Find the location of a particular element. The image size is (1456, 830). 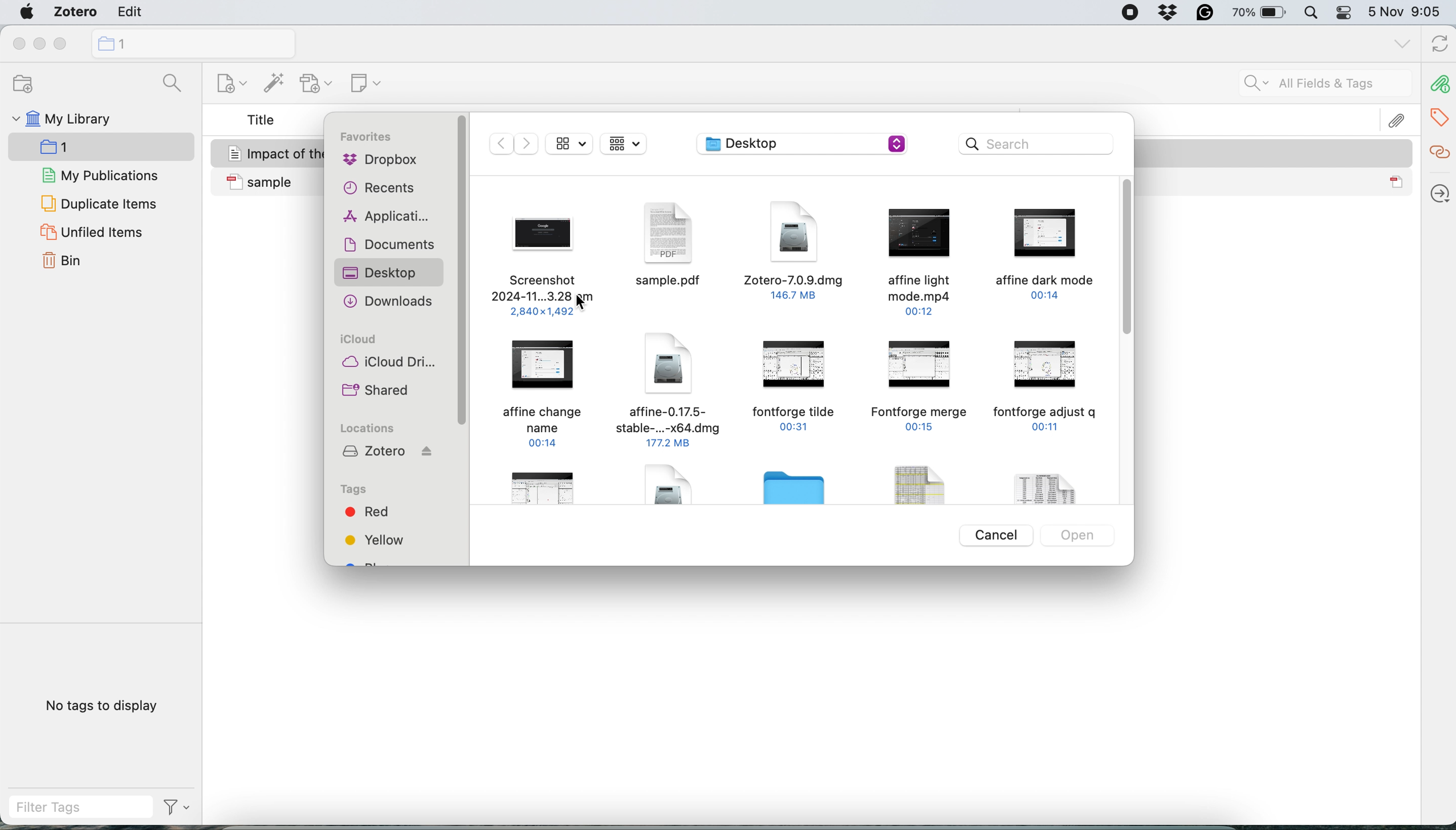

cancel is located at coordinates (999, 535).